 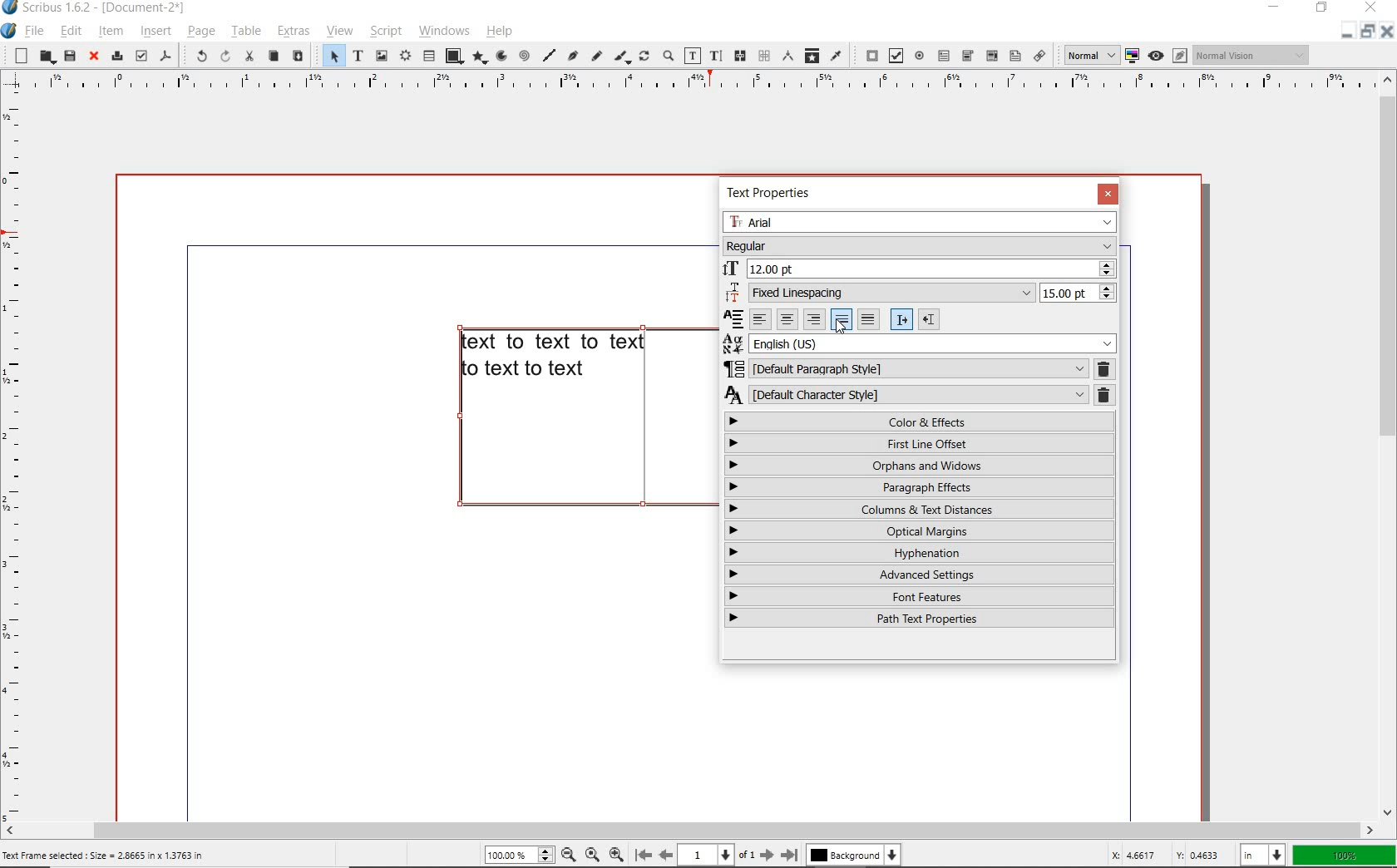 What do you see at coordinates (617, 854) in the screenshot?
I see `zoom out` at bounding box center [617, 854].